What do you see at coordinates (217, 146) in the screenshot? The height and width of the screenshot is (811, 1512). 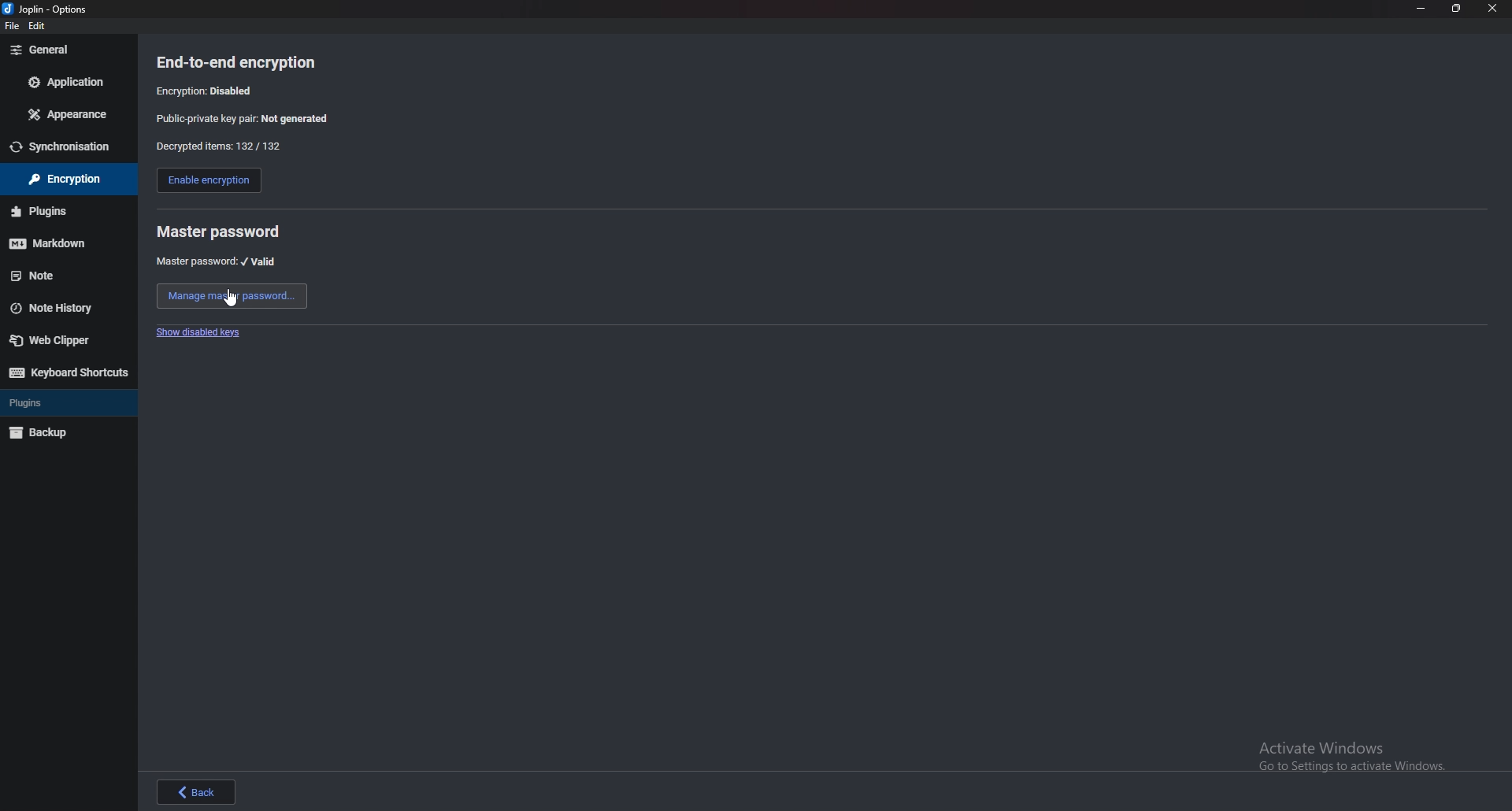 I see `decrypted items` at bounding box center [217, 146].